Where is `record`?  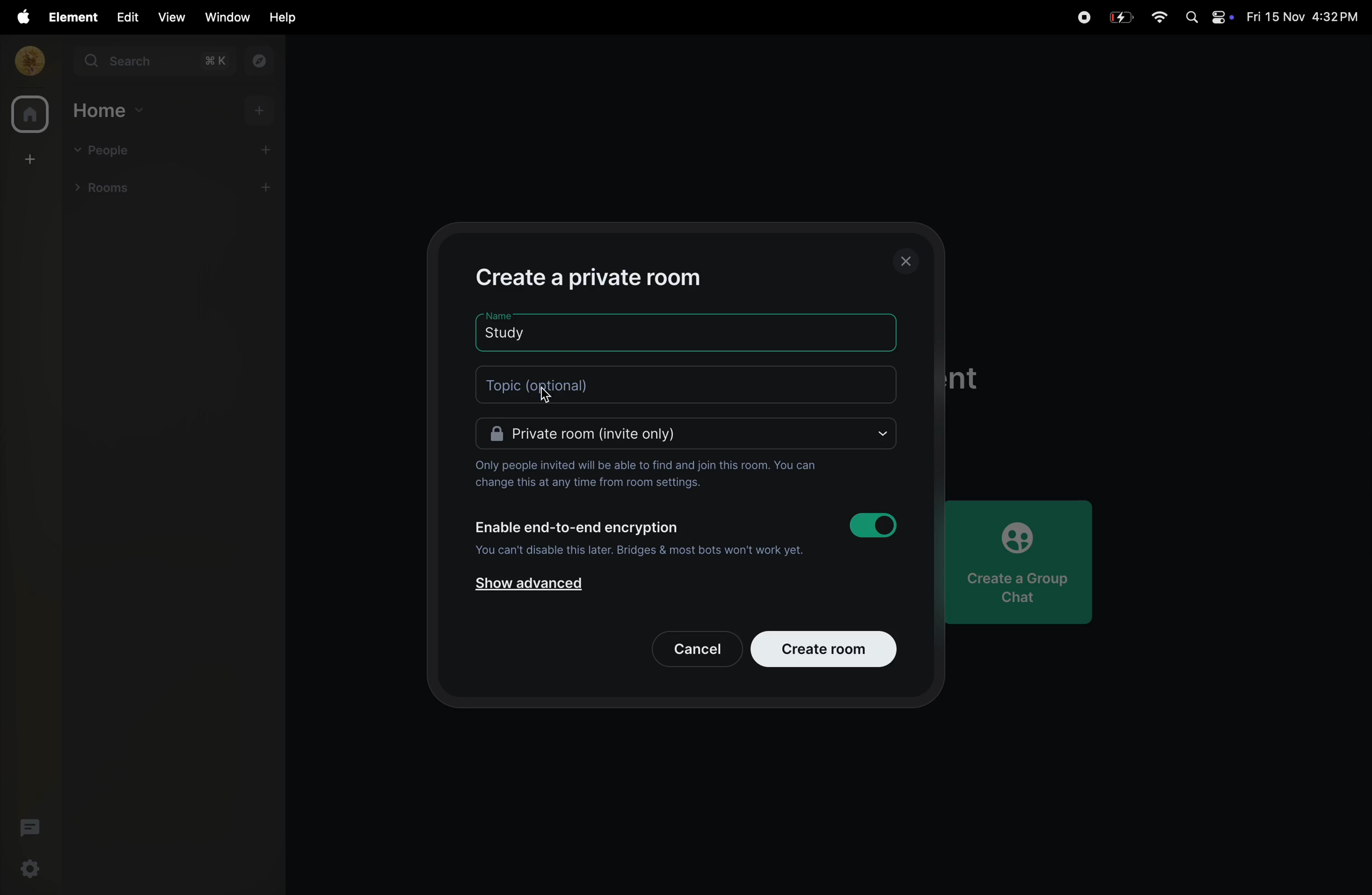
record is located at coordinates (1083, 16).